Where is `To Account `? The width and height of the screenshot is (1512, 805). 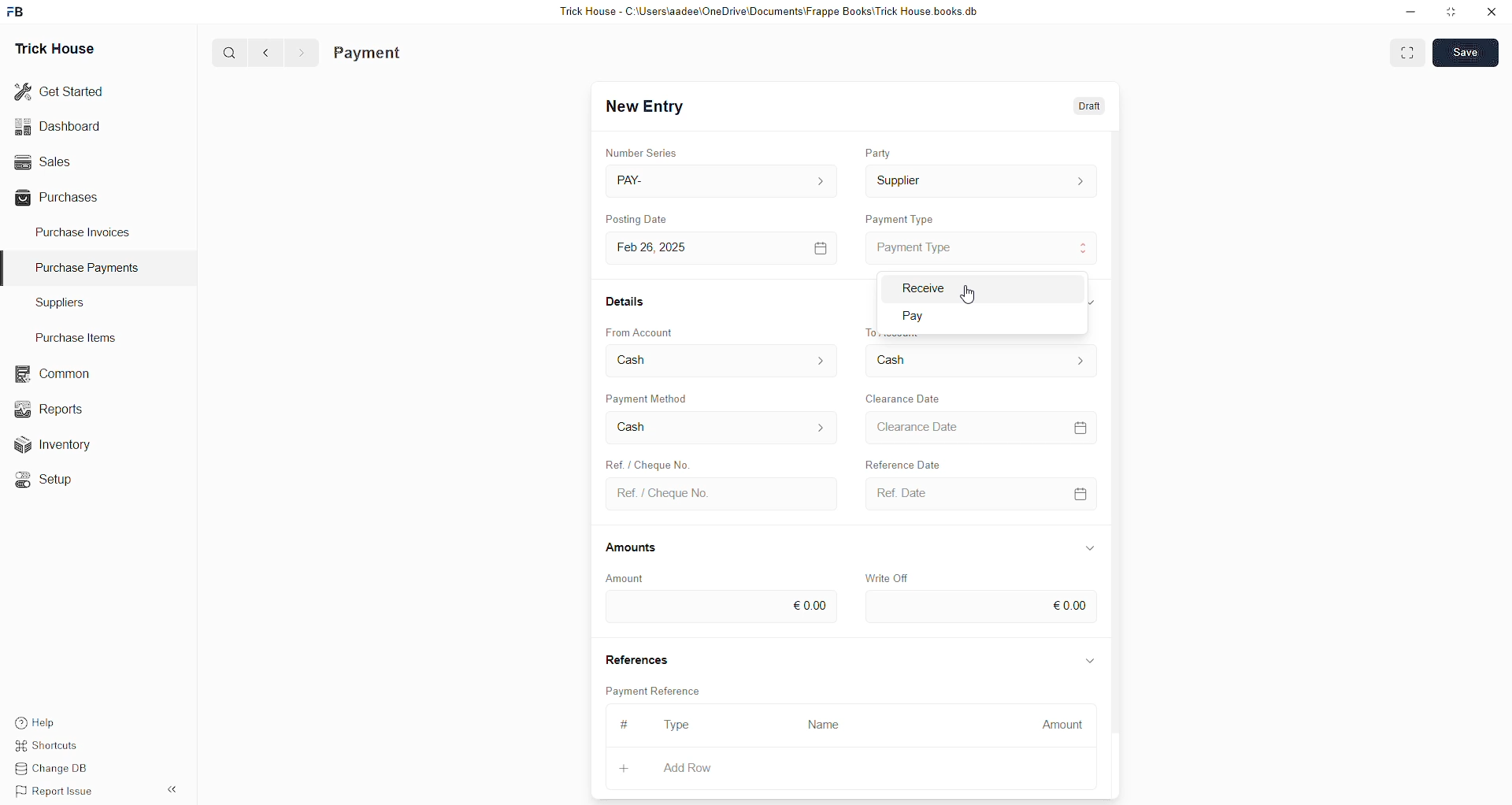 To Account  is located at coordinates (978, 362).